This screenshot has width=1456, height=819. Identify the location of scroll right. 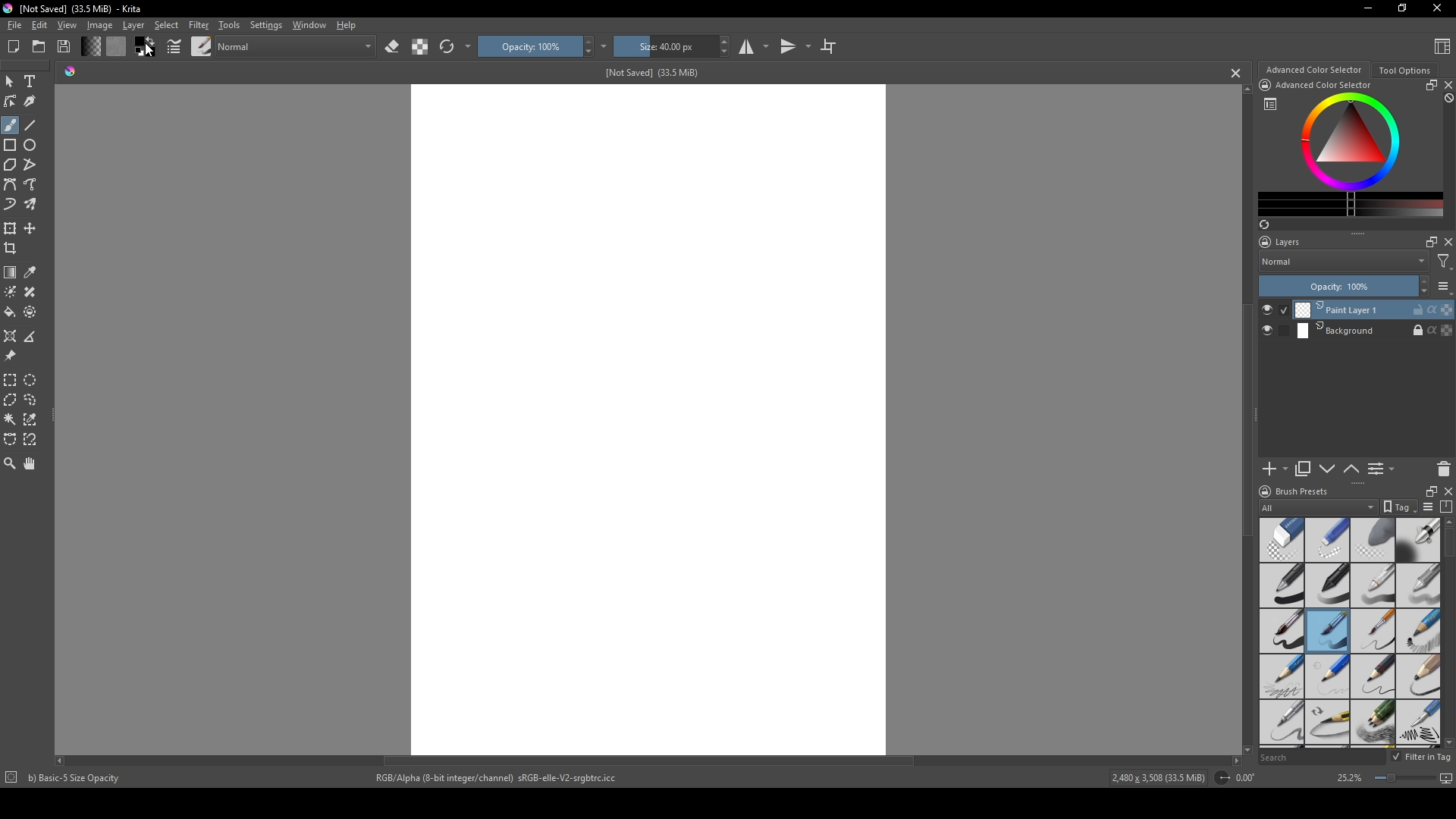
(1236, 761).